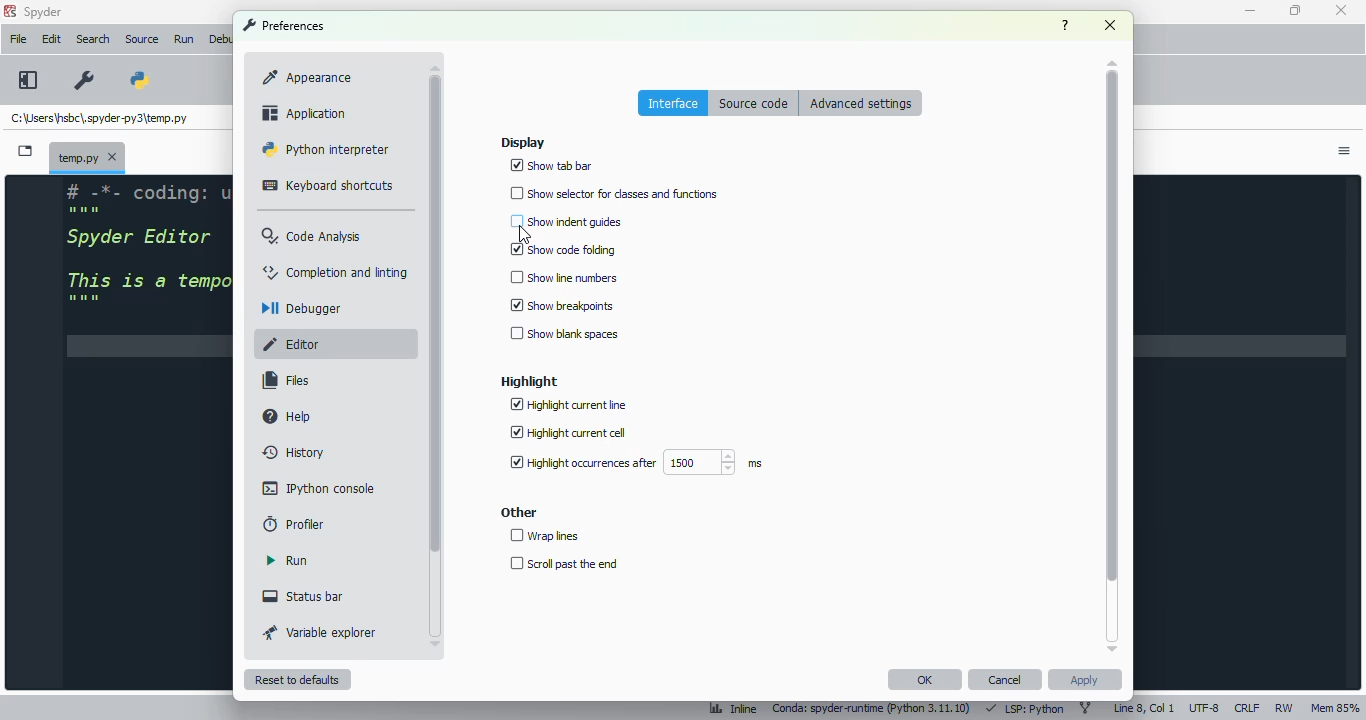  What do you see at coordinates (551, 166) in the screenshot?
I see `show tab bar` at bounding box center [551, 166].